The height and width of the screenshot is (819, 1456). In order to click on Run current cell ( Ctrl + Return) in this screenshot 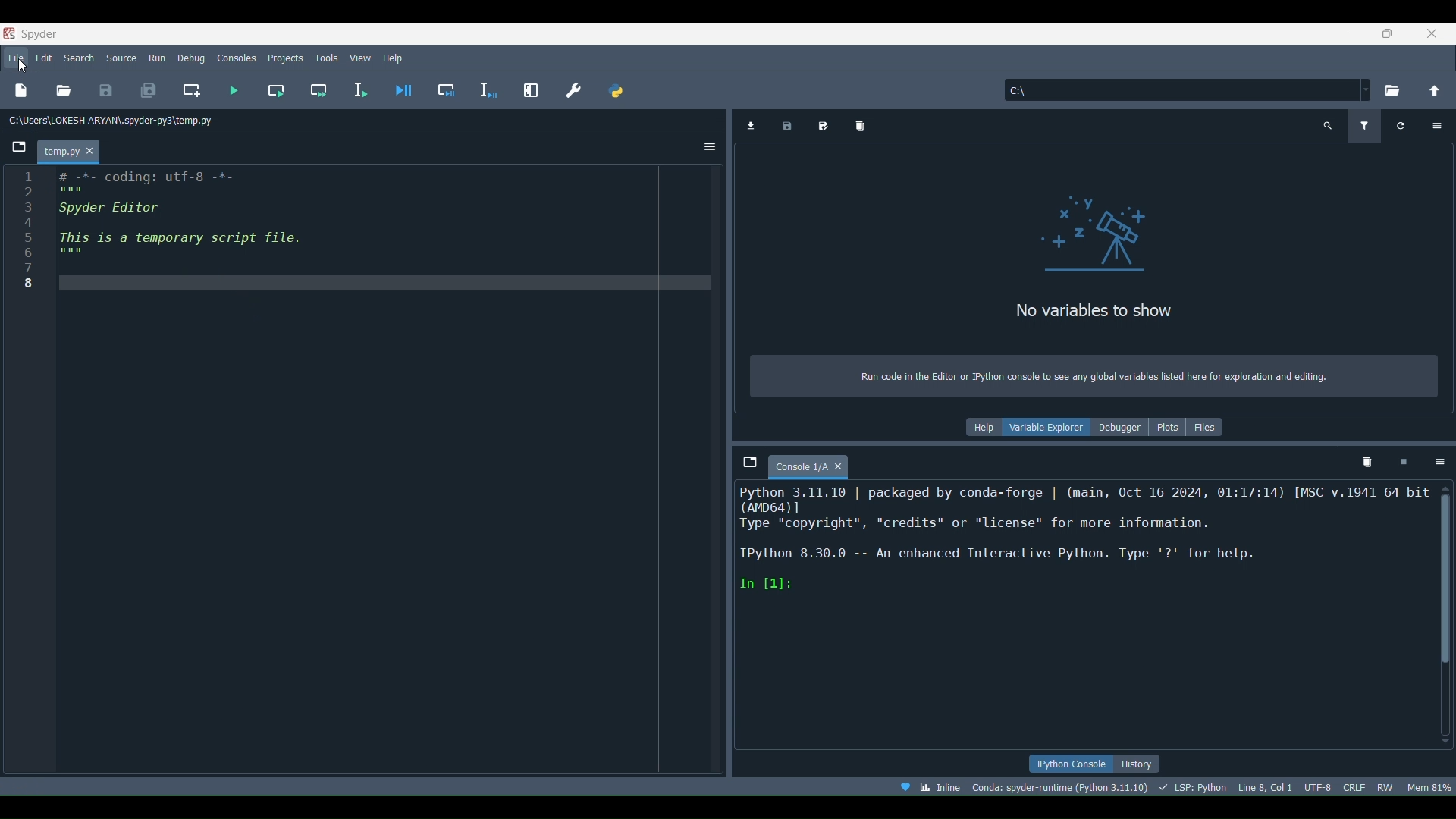, I will do `click(269, 90)`.